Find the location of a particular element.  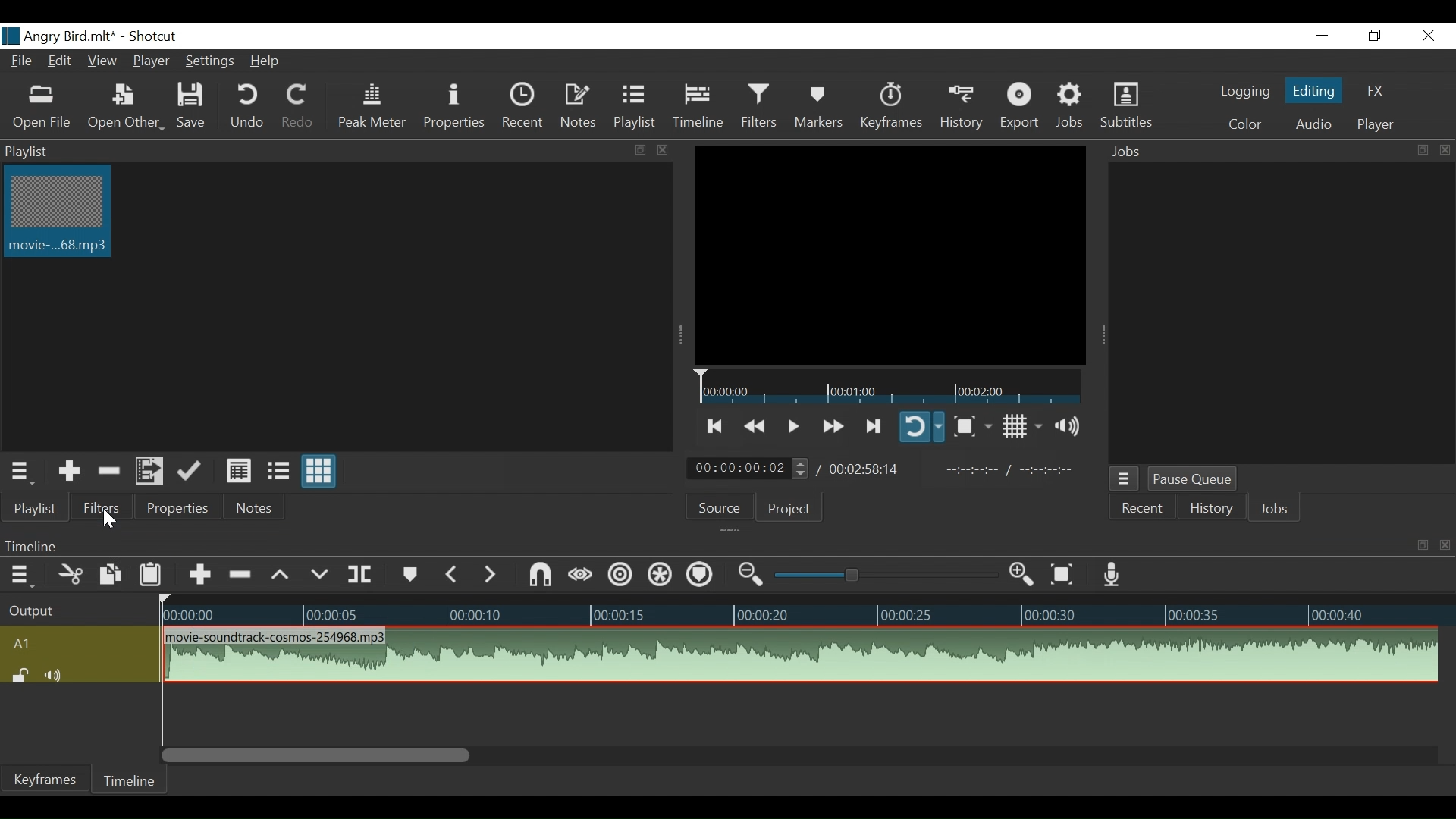

Project is located at coordinates (795, 507).